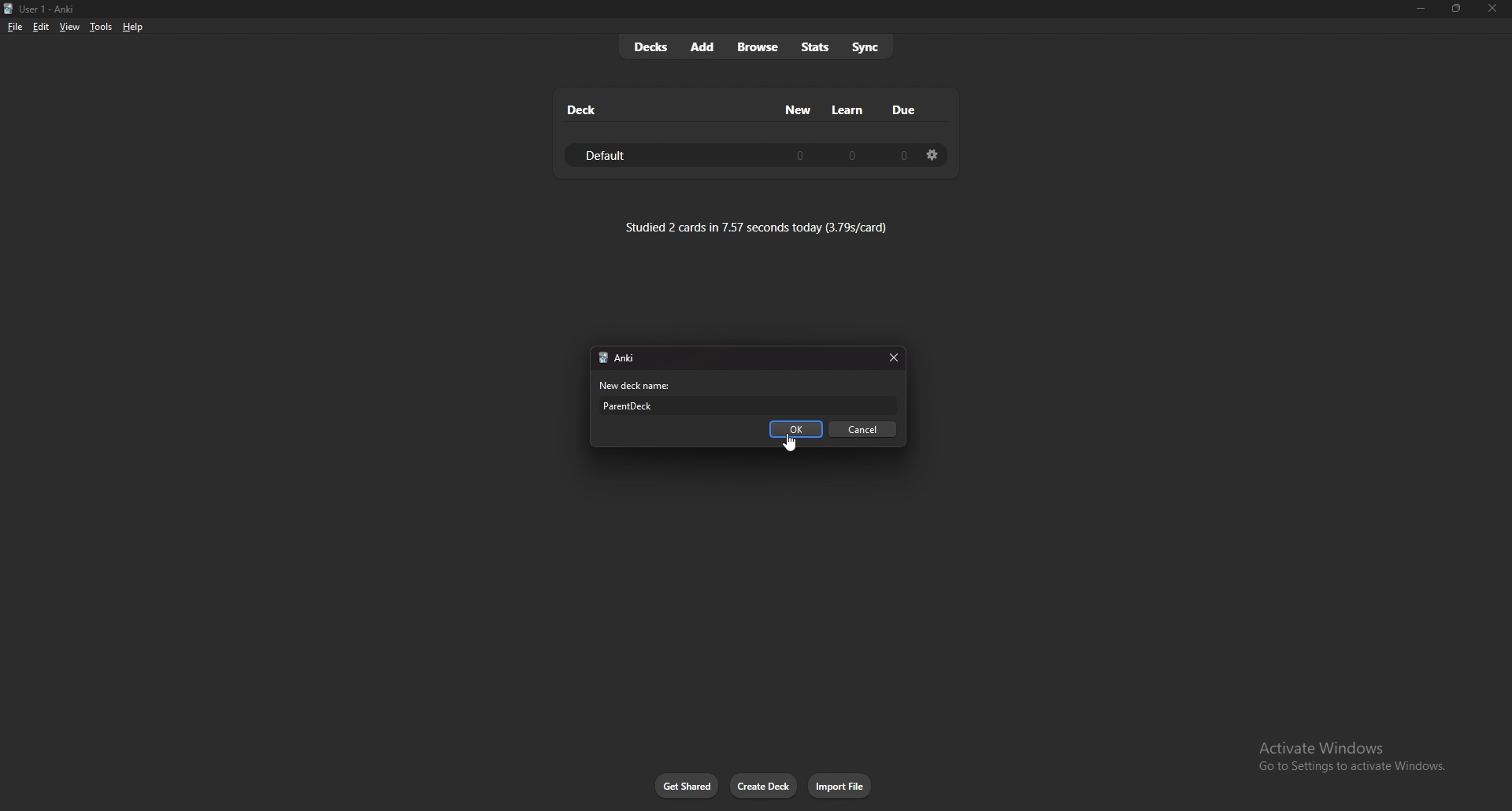  What do you see at coordinates (601, 358) in the screenshot?
I see `logo` at bounding box center [601, 358].